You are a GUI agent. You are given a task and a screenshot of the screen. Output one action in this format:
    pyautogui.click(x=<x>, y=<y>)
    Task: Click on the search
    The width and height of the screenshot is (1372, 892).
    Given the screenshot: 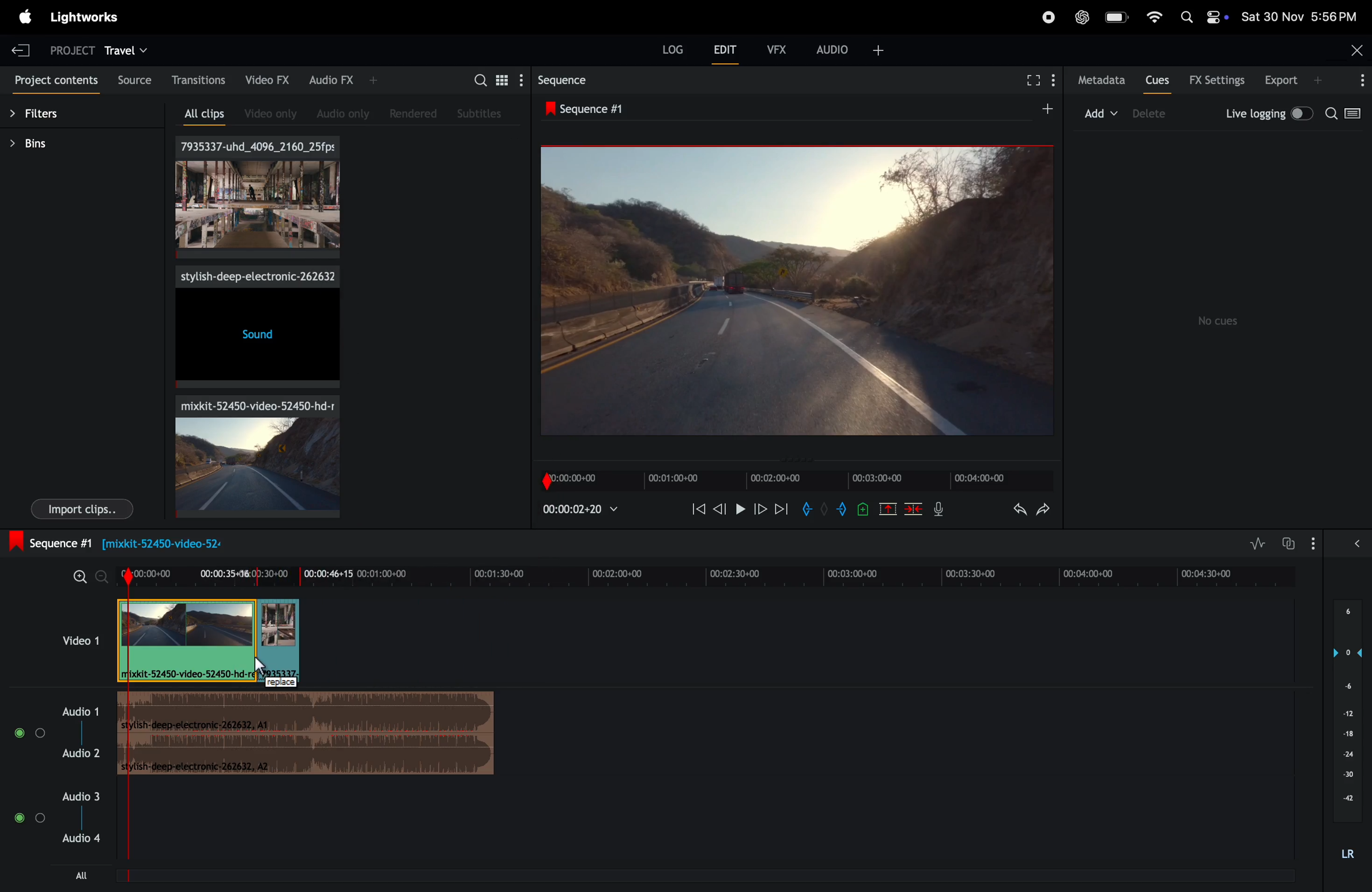 What is the action you would take?
    pyautogui.click(x=1345, y=115)
    